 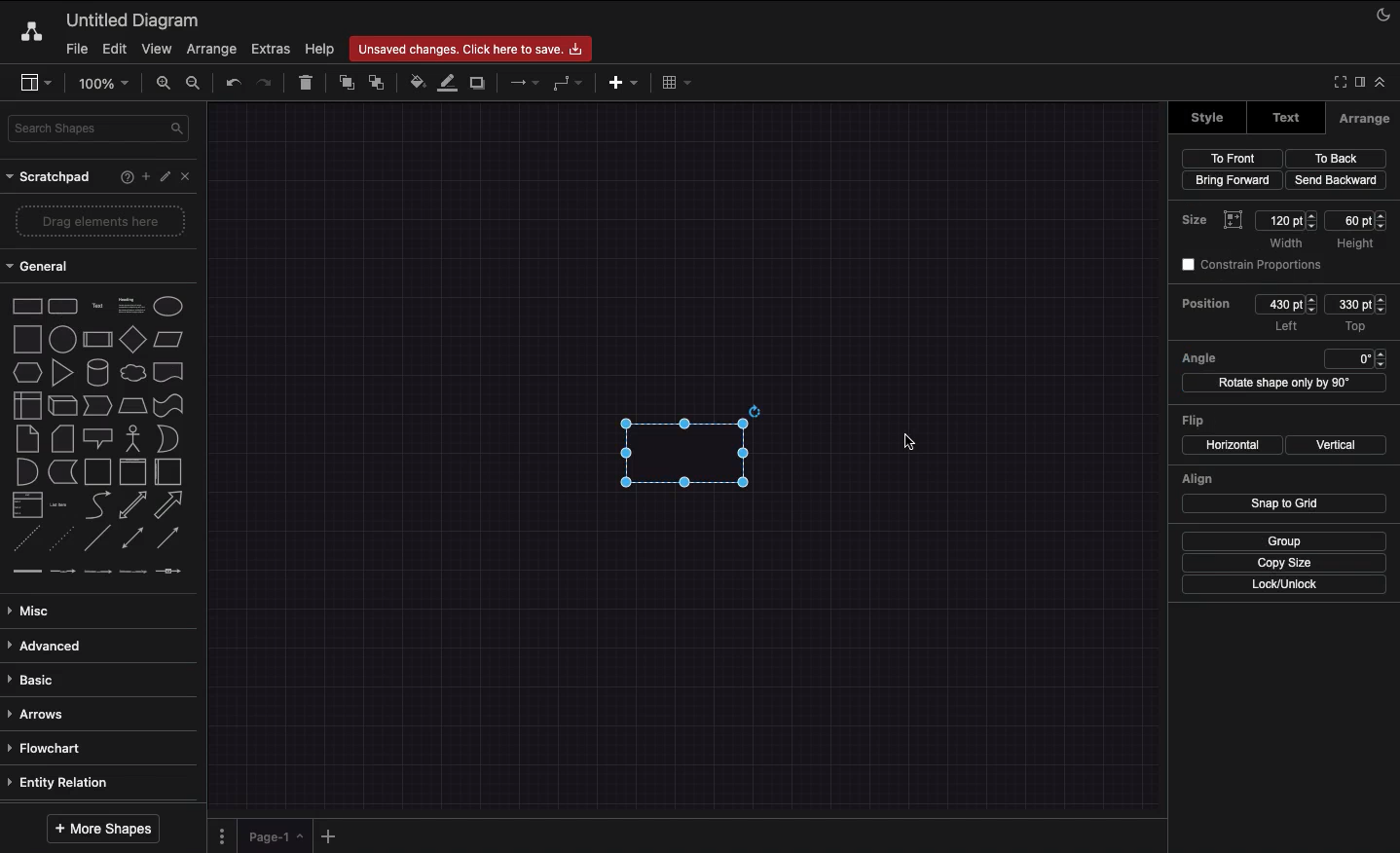 What do you see at coordinates (114, 49) in the screenshot?
I see `Edit` at bounding box center [114, 49].